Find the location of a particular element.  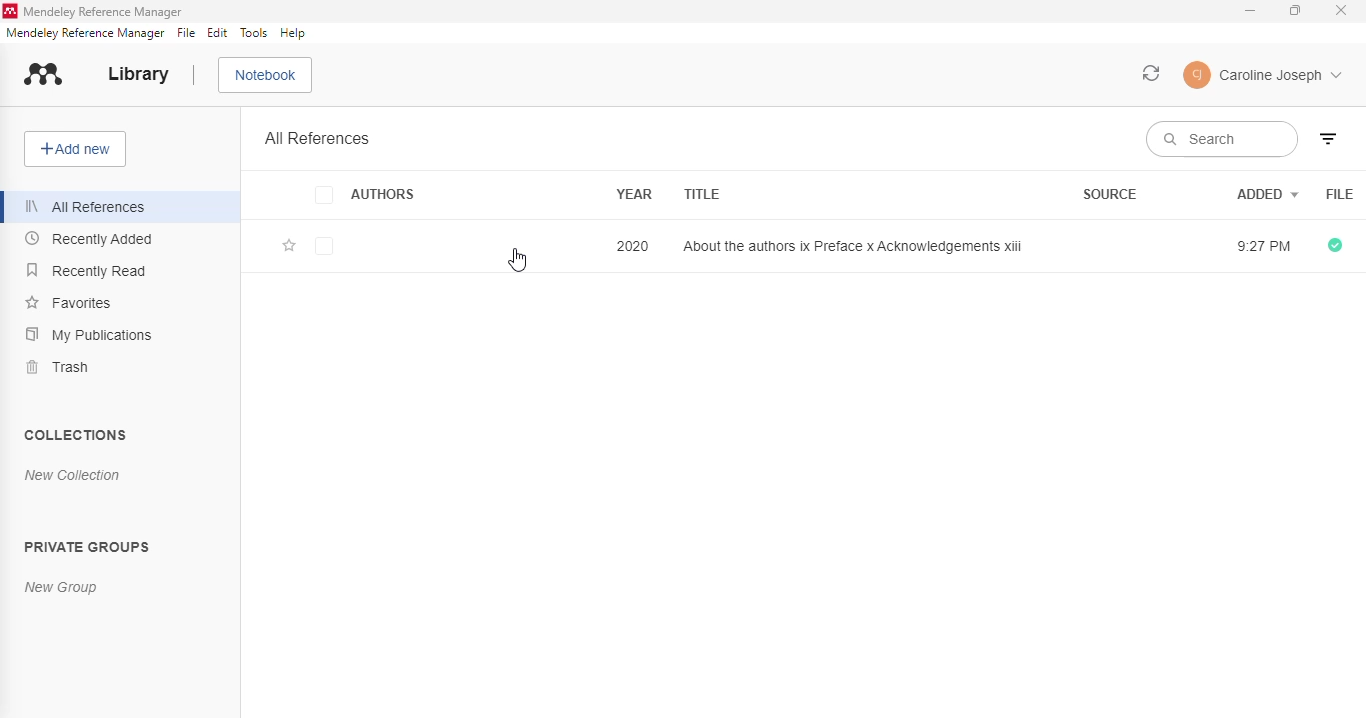

favorites is located at coordinates (68, 301).